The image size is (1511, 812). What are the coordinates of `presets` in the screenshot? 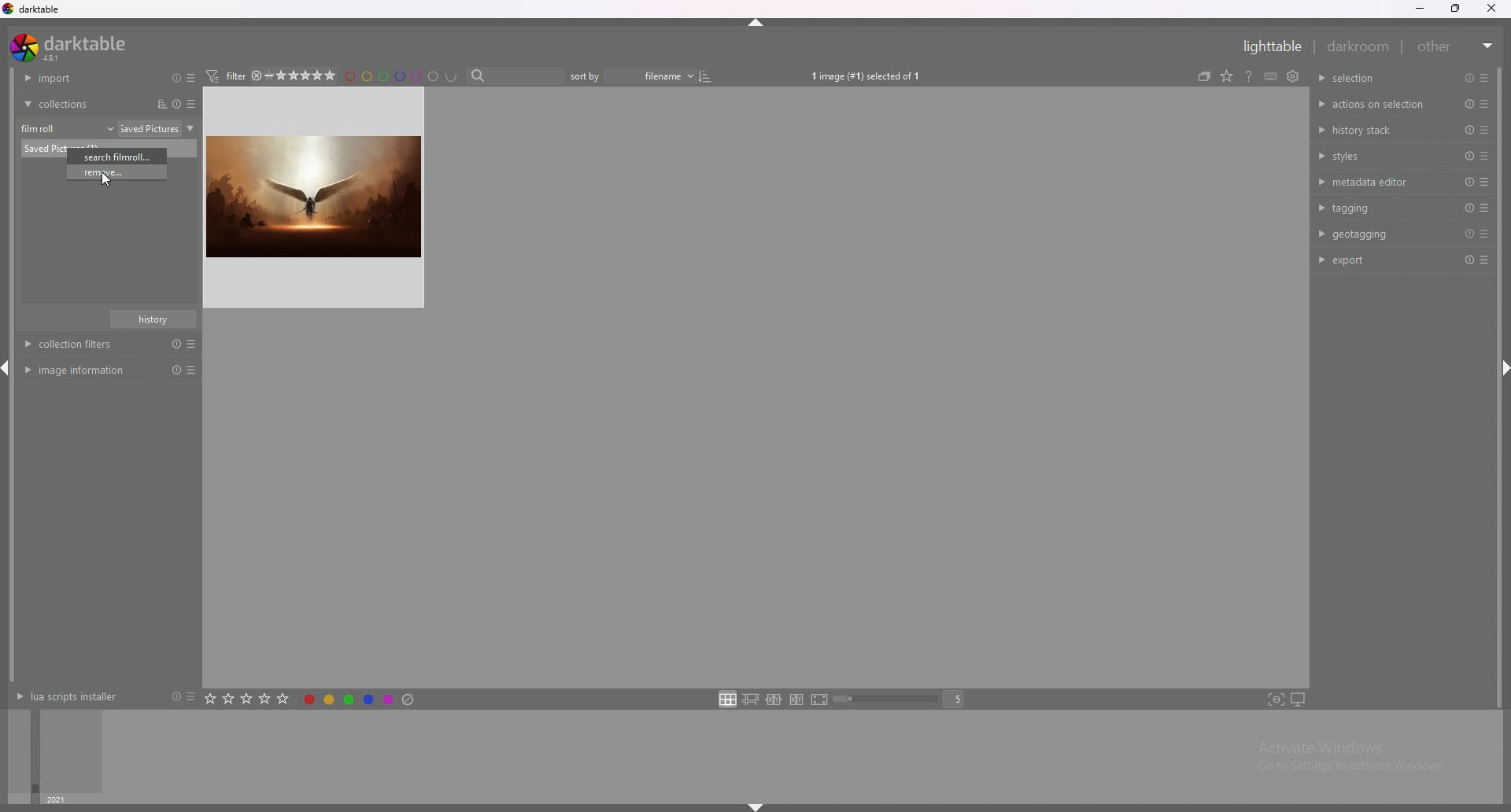 It's located at (190, 696).